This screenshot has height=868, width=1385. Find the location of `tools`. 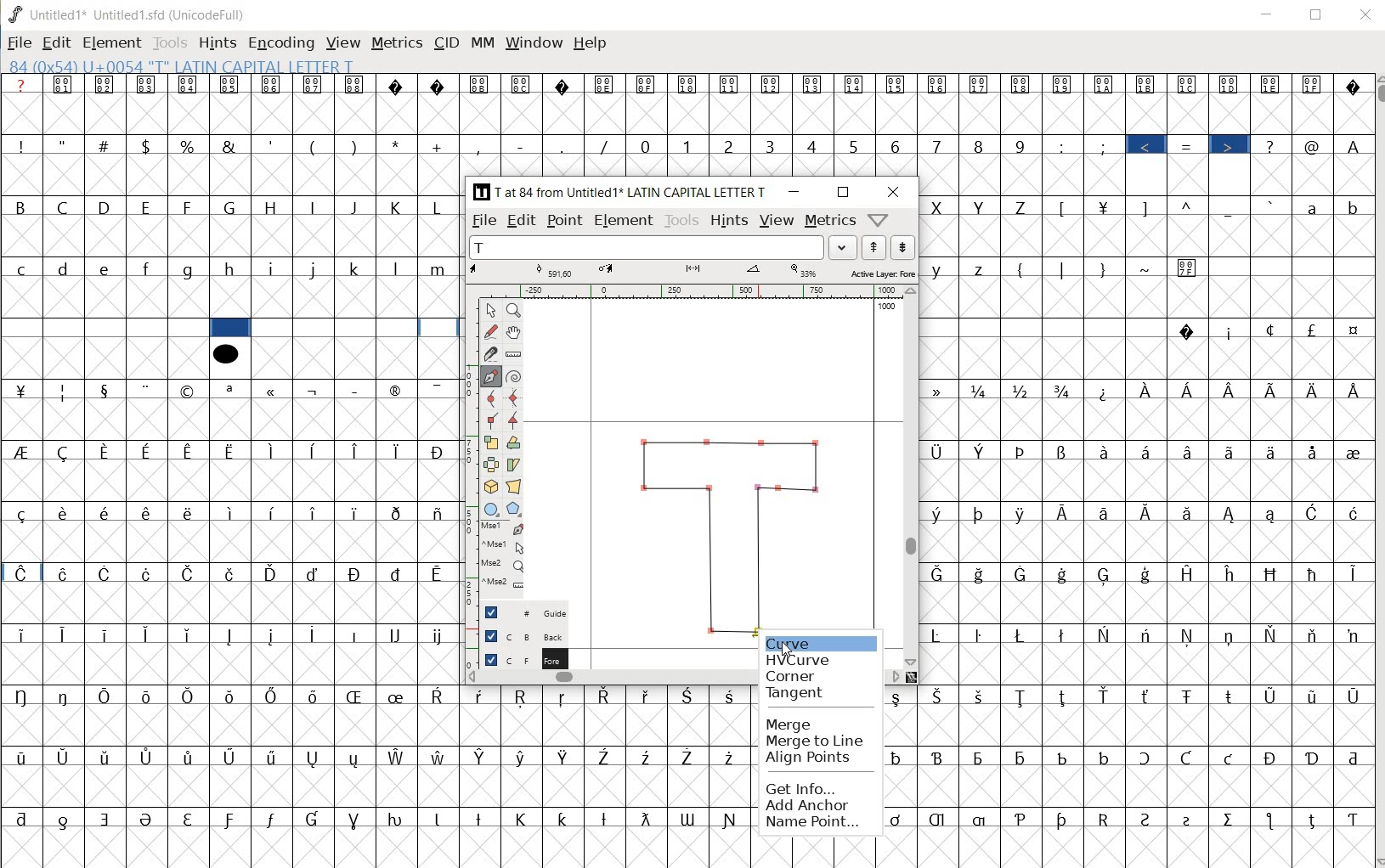

tools is located at coordinates (681, 220).